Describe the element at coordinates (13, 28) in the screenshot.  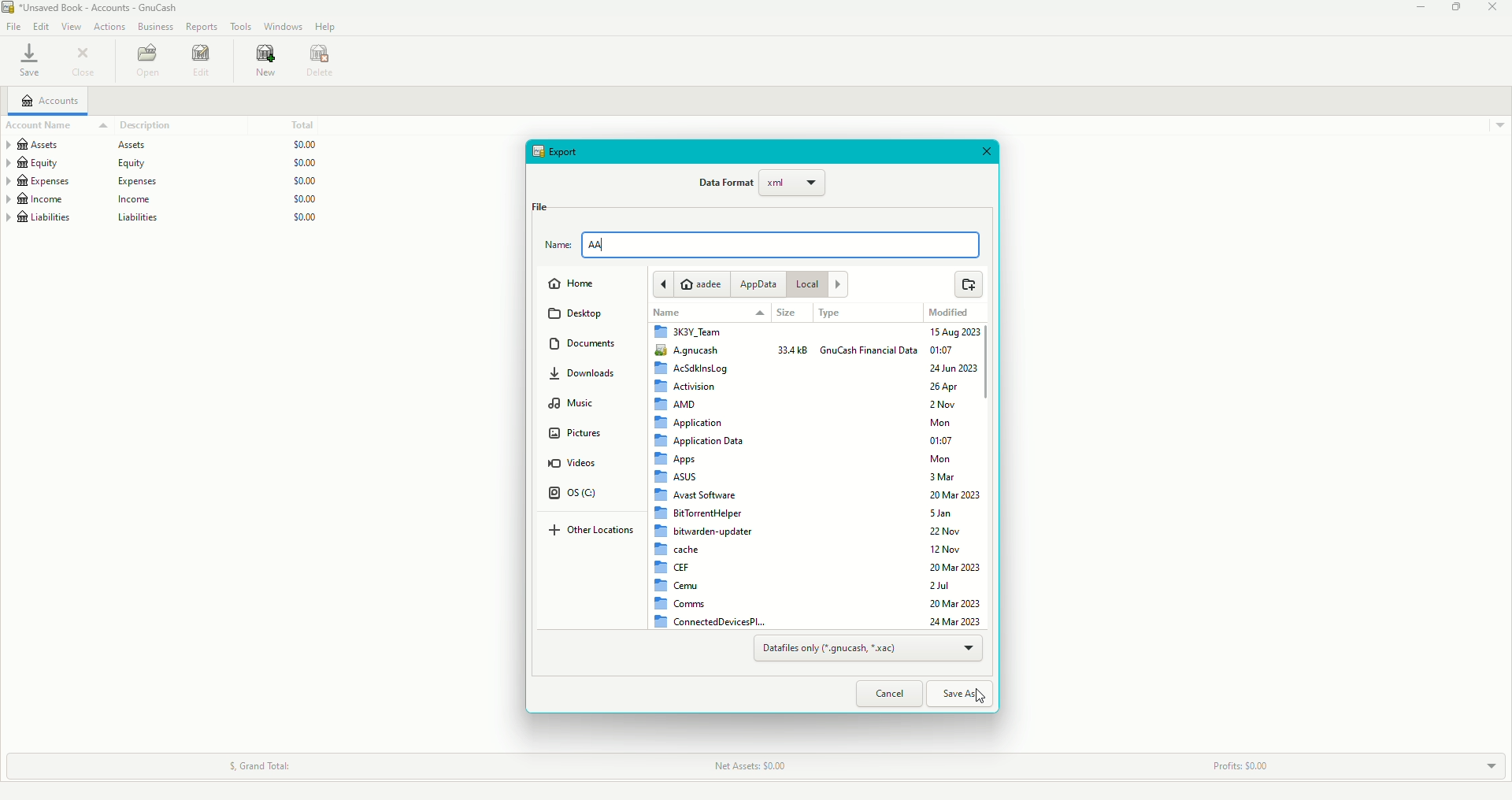
I see `File` at that location.